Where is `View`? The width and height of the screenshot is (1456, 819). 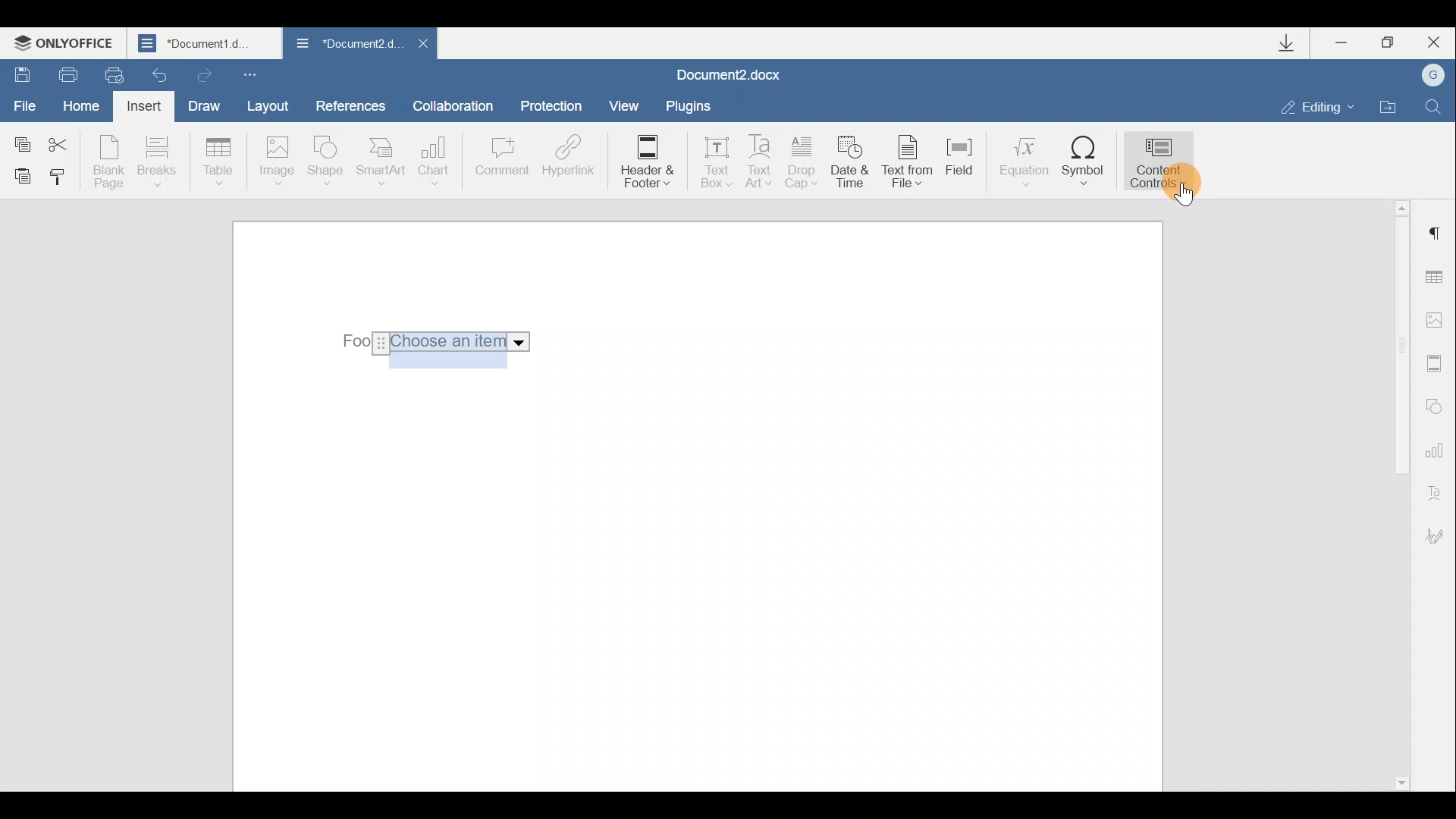
View is located at coordinates (625, 105).